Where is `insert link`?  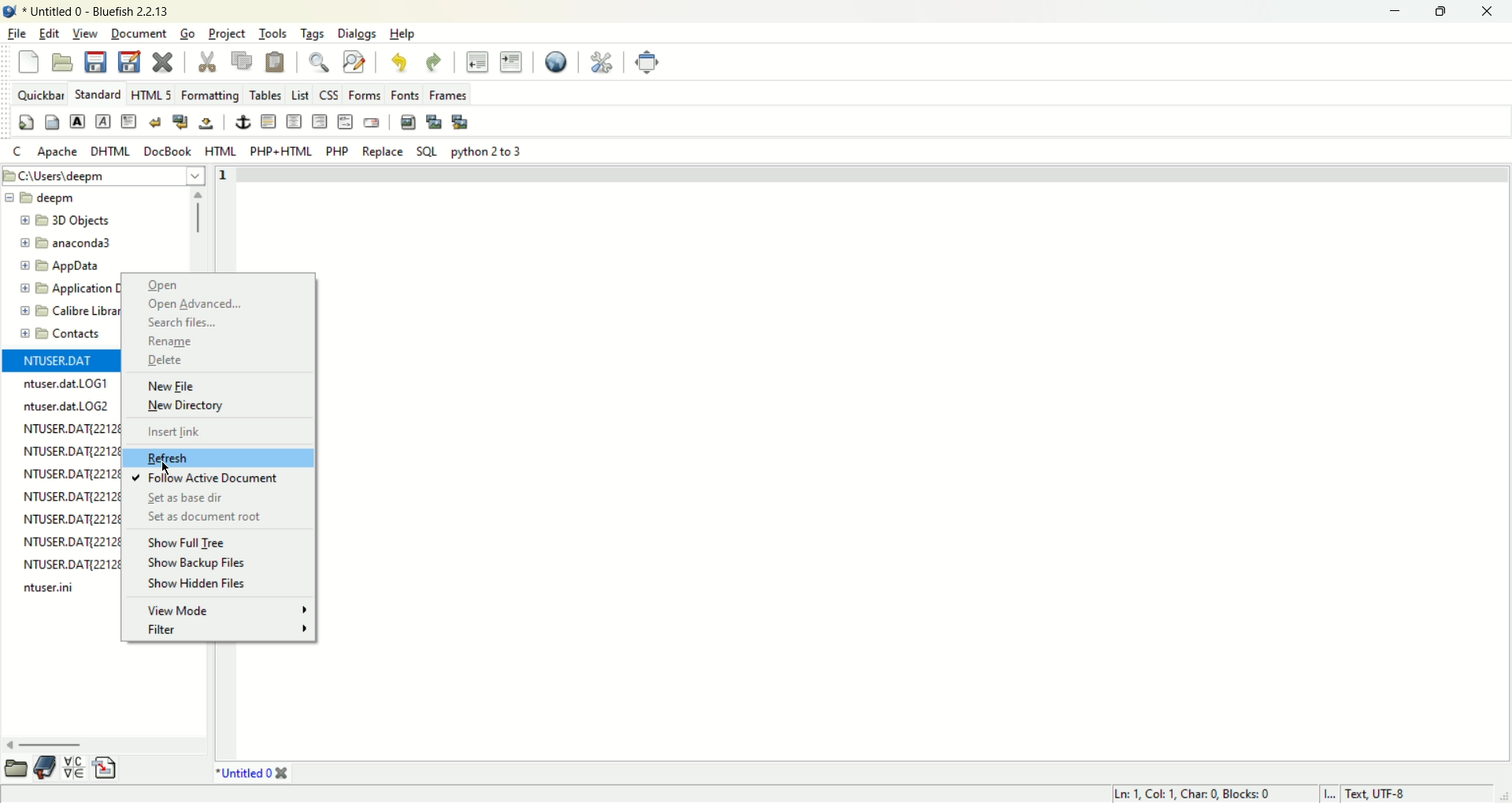 insert link is located at coordinates (192, 431).